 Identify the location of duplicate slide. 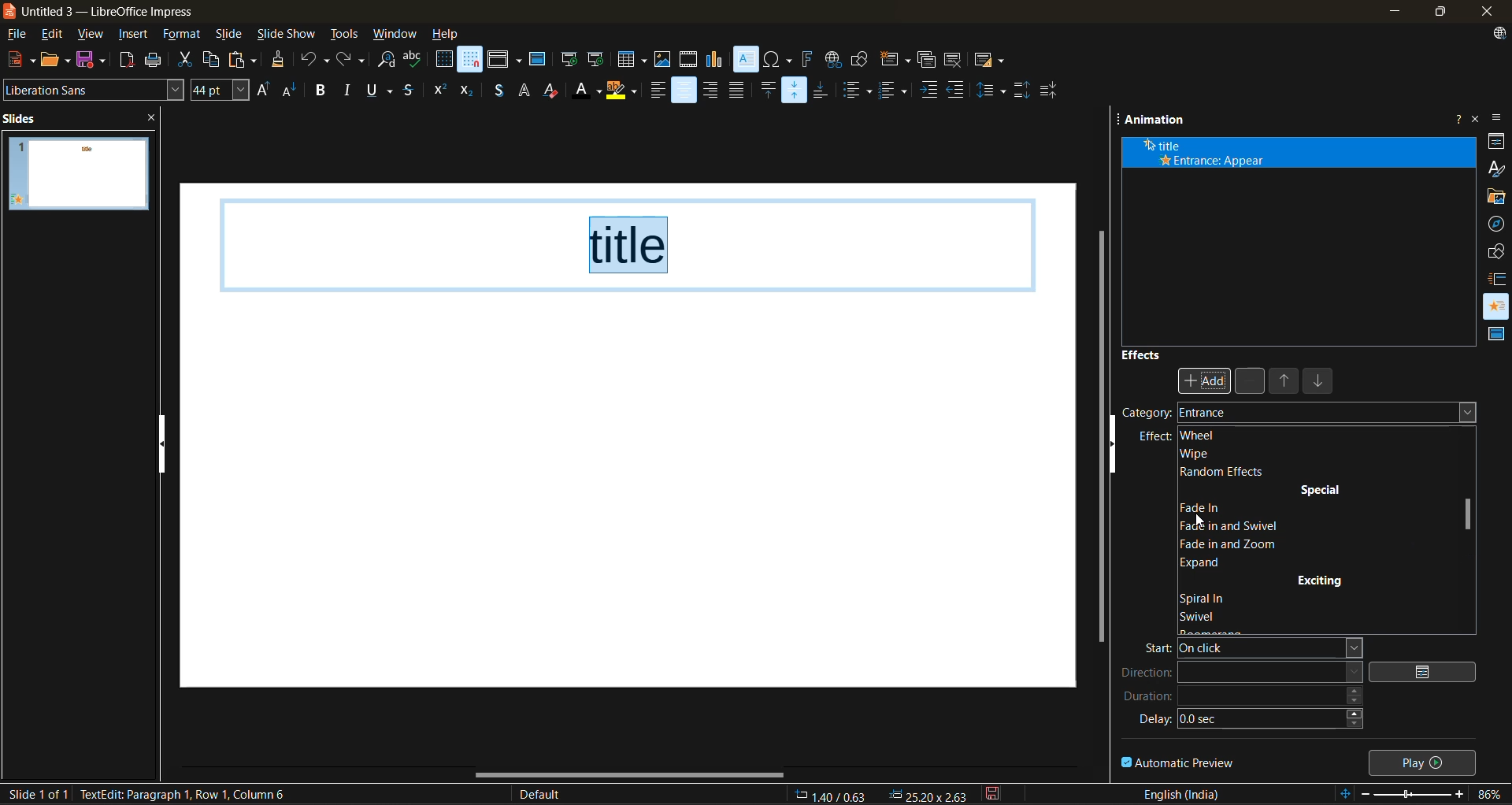
(927, 62).